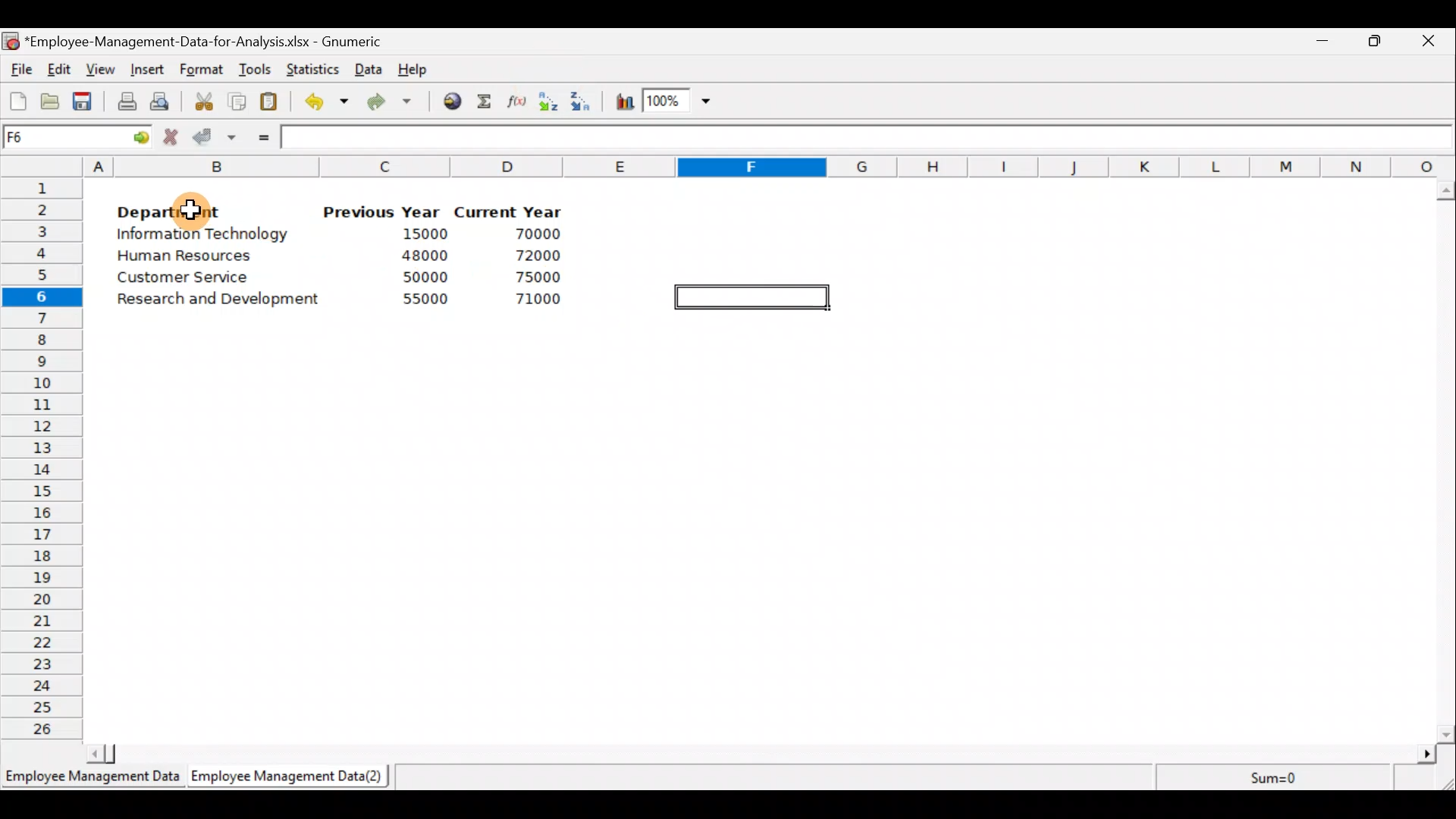 The width and height of the screenshot is (1456, 819). What do you see at coordinates (429, 277) in the screenshot?
I see `50000` at bounding box center [429, 277].